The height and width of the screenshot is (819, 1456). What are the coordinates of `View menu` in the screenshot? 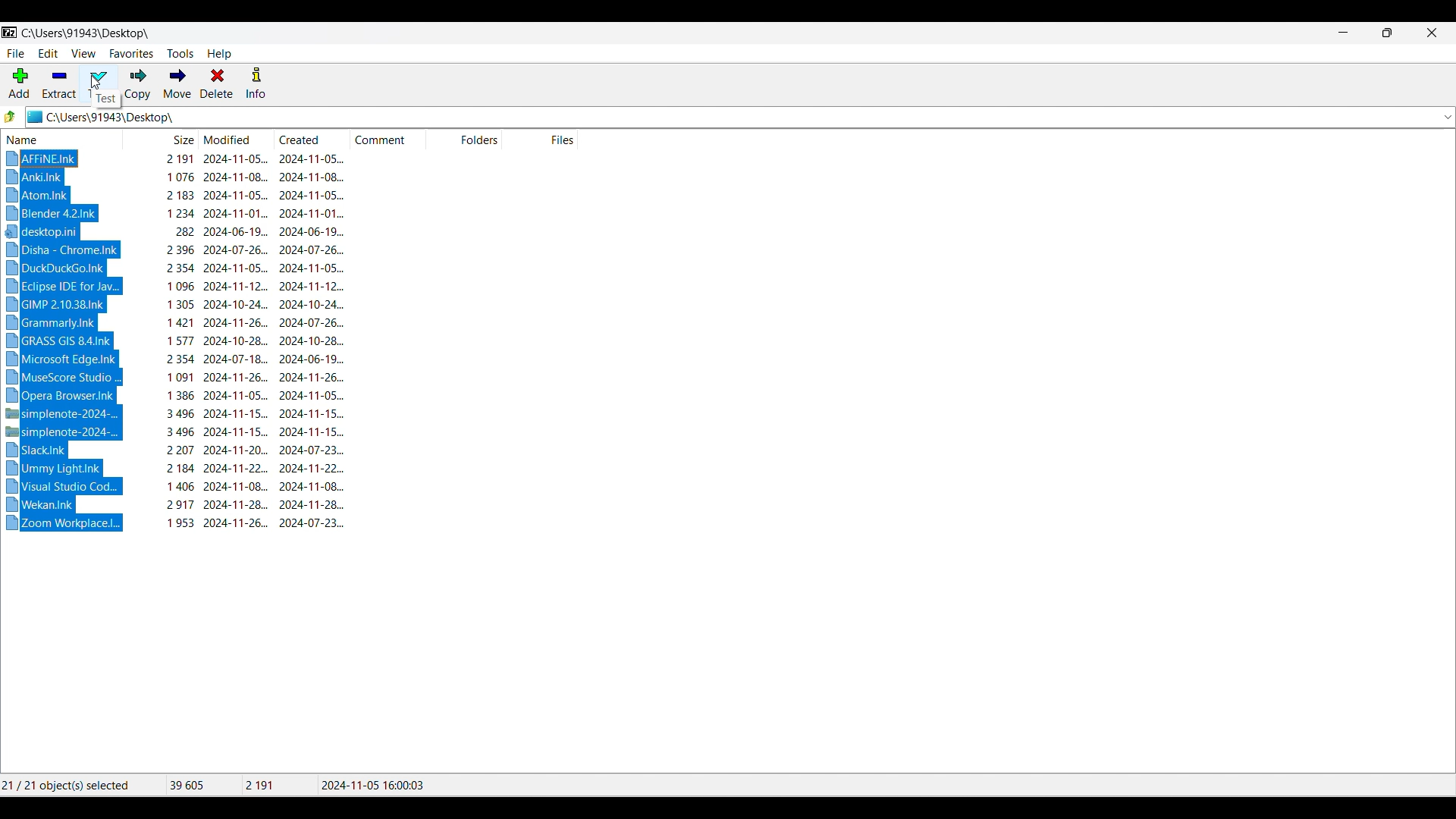 It's located at (83, 54).